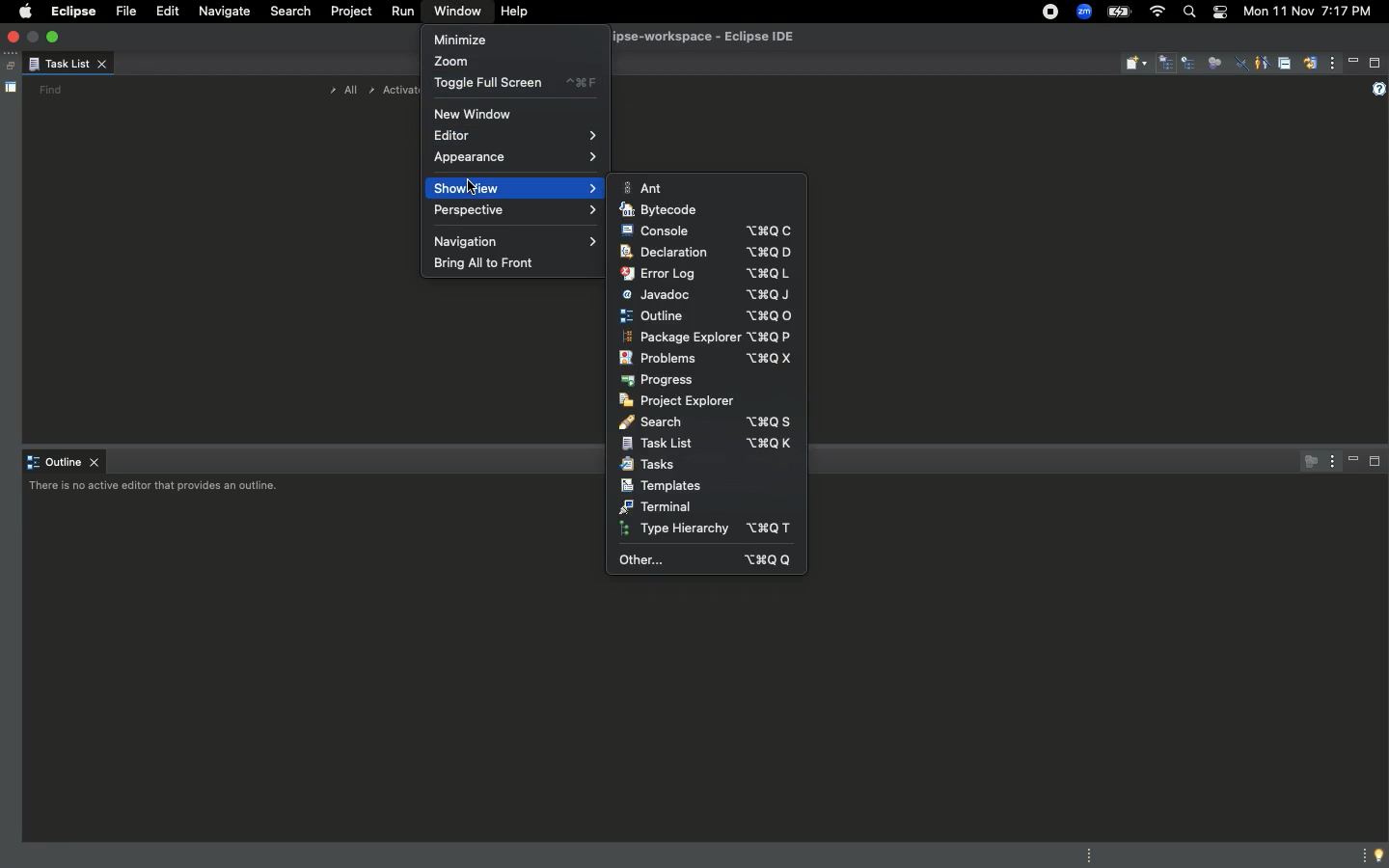 This screenshot has height=868, width=1389. What do you see at coordinates (65, 463) in the screenshot?
I see `Outline` at bounding box center [65, 463].